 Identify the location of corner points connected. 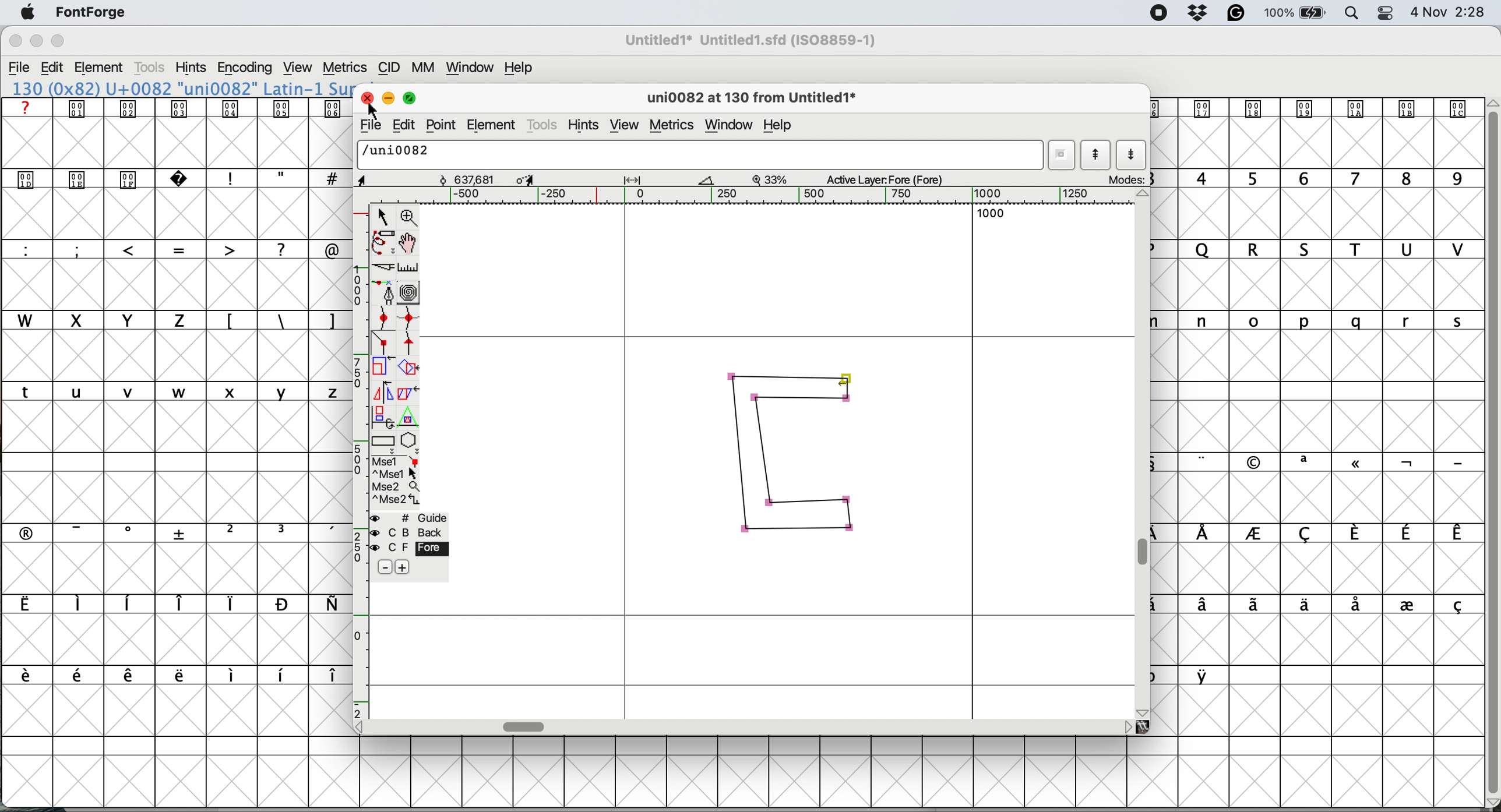
(791, 531).